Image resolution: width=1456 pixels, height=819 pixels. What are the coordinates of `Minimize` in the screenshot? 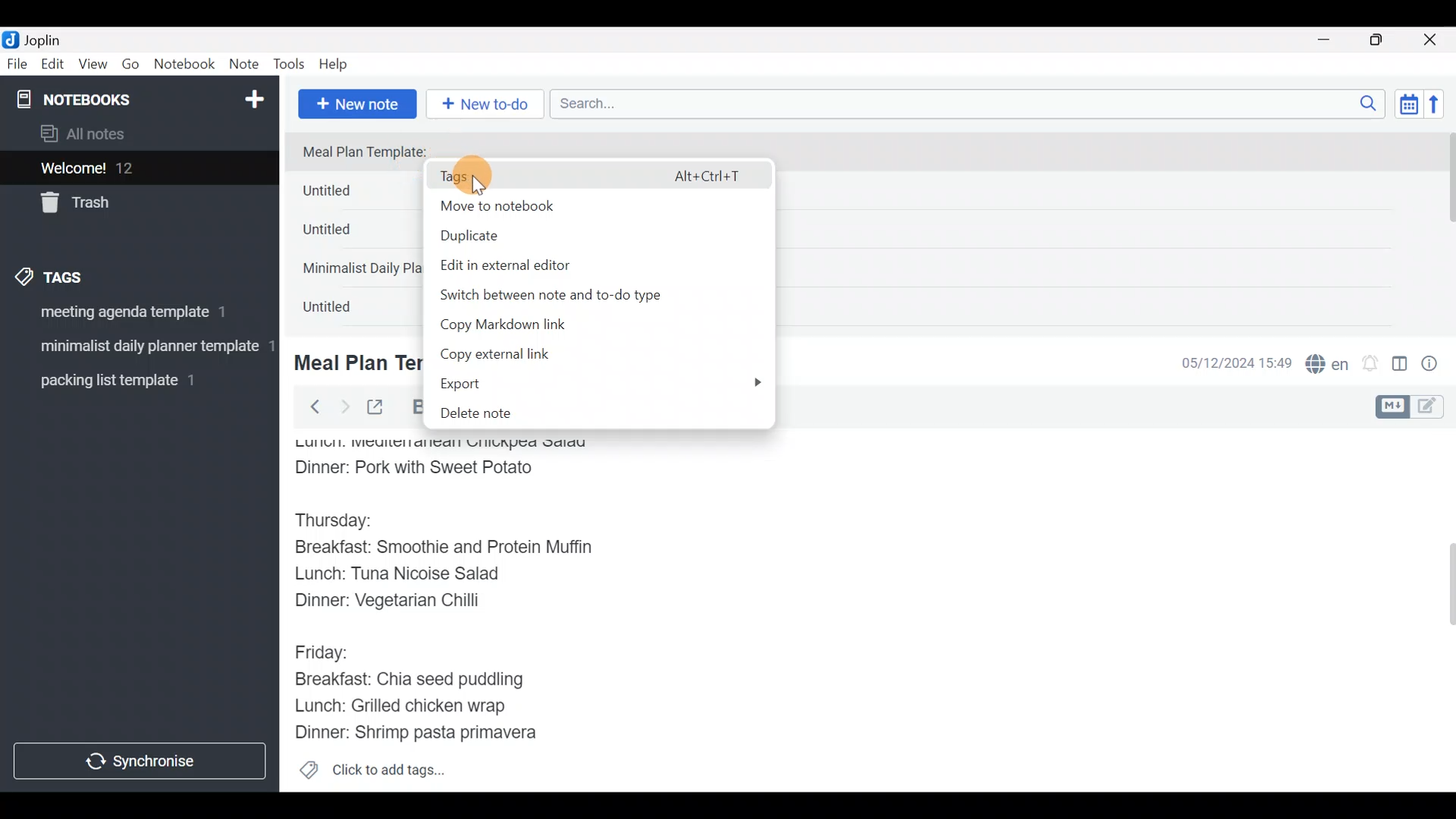 It's located at (1332, 38).